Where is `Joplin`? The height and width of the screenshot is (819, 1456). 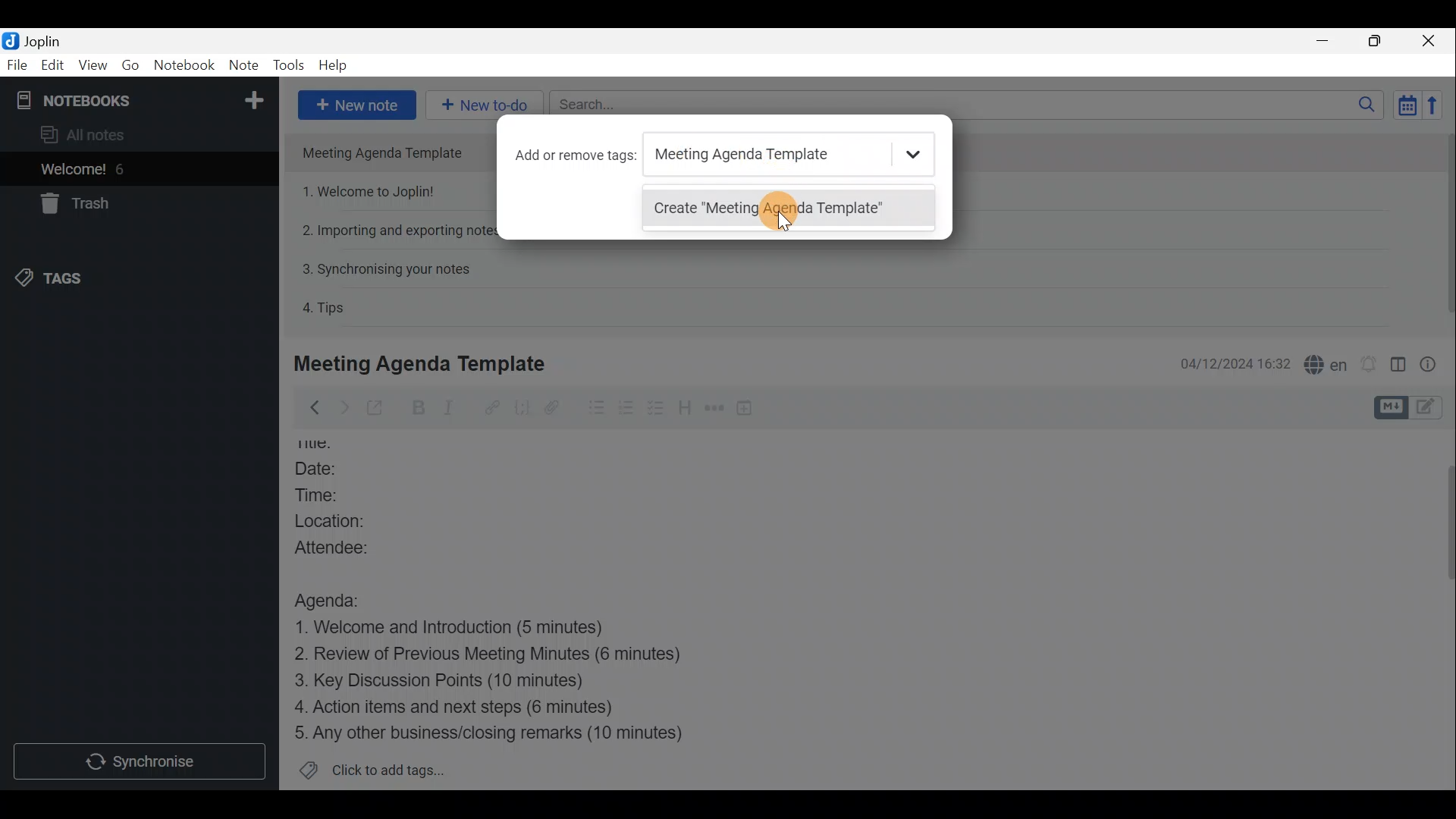 Joplin is located at coordinates (42, 40).